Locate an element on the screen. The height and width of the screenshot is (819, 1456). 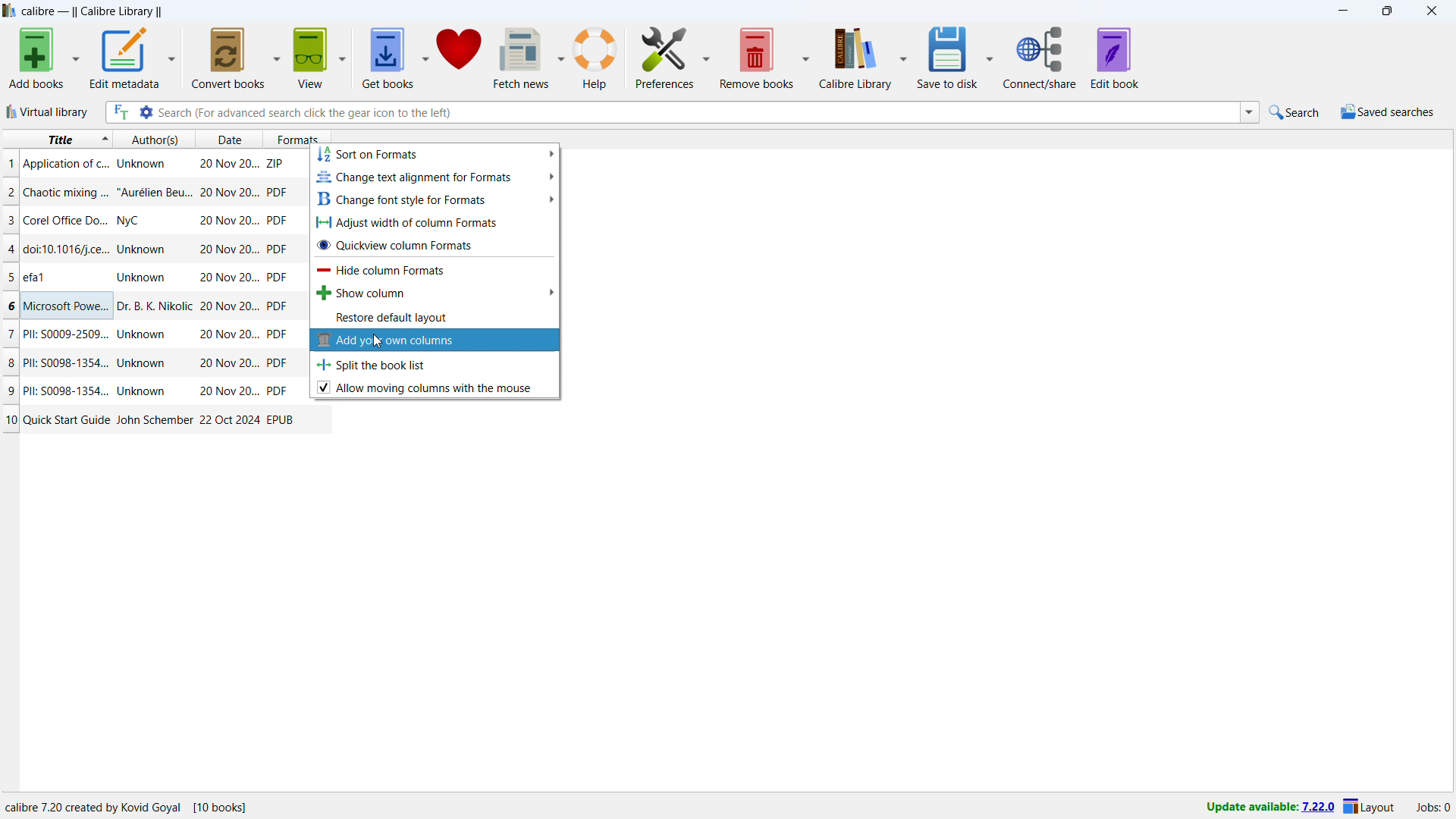
Layout is located at coordinates (1370, 806).